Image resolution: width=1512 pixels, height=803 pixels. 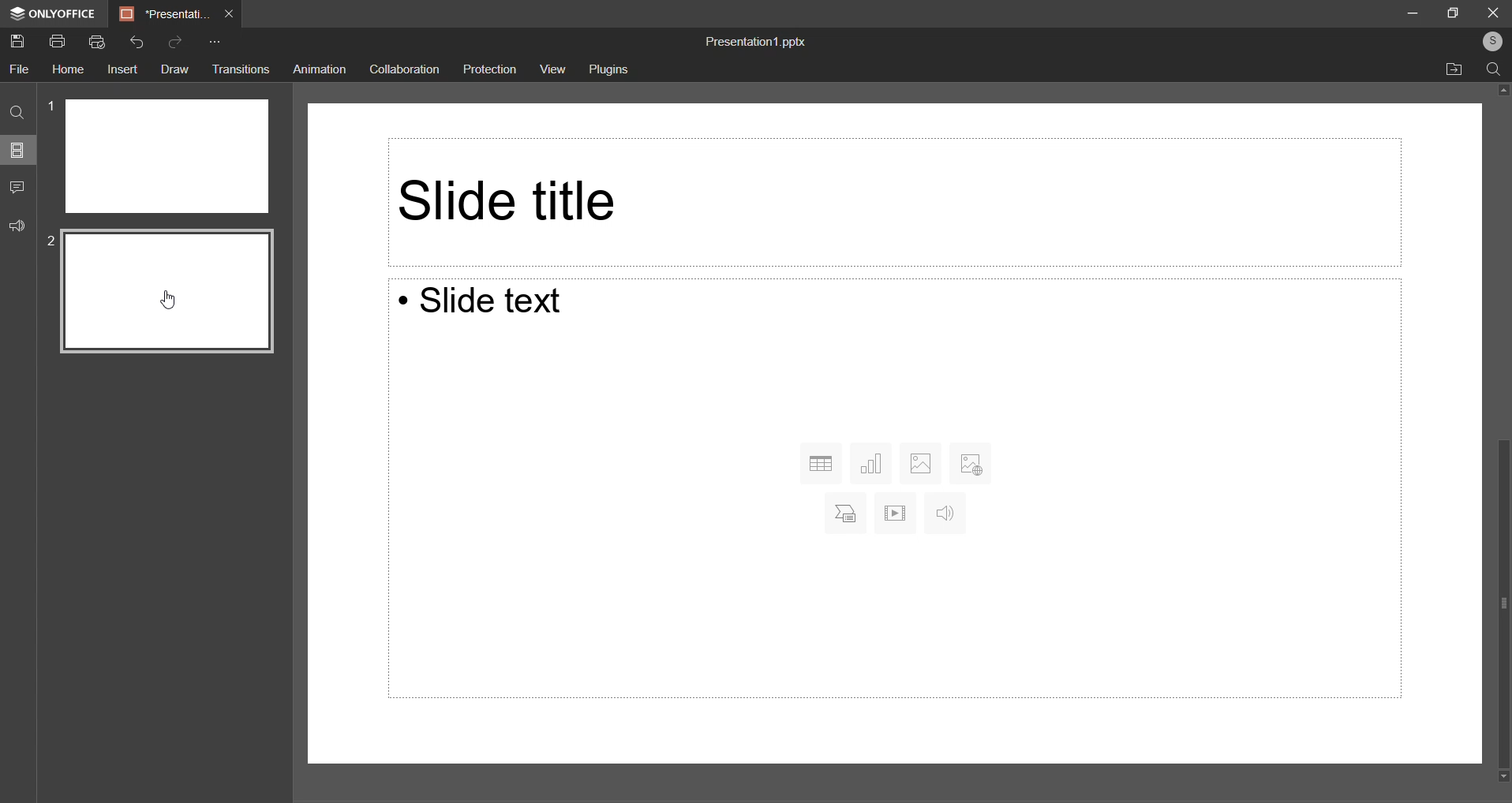 I want to click on Logo, so click(x=50, y=15).